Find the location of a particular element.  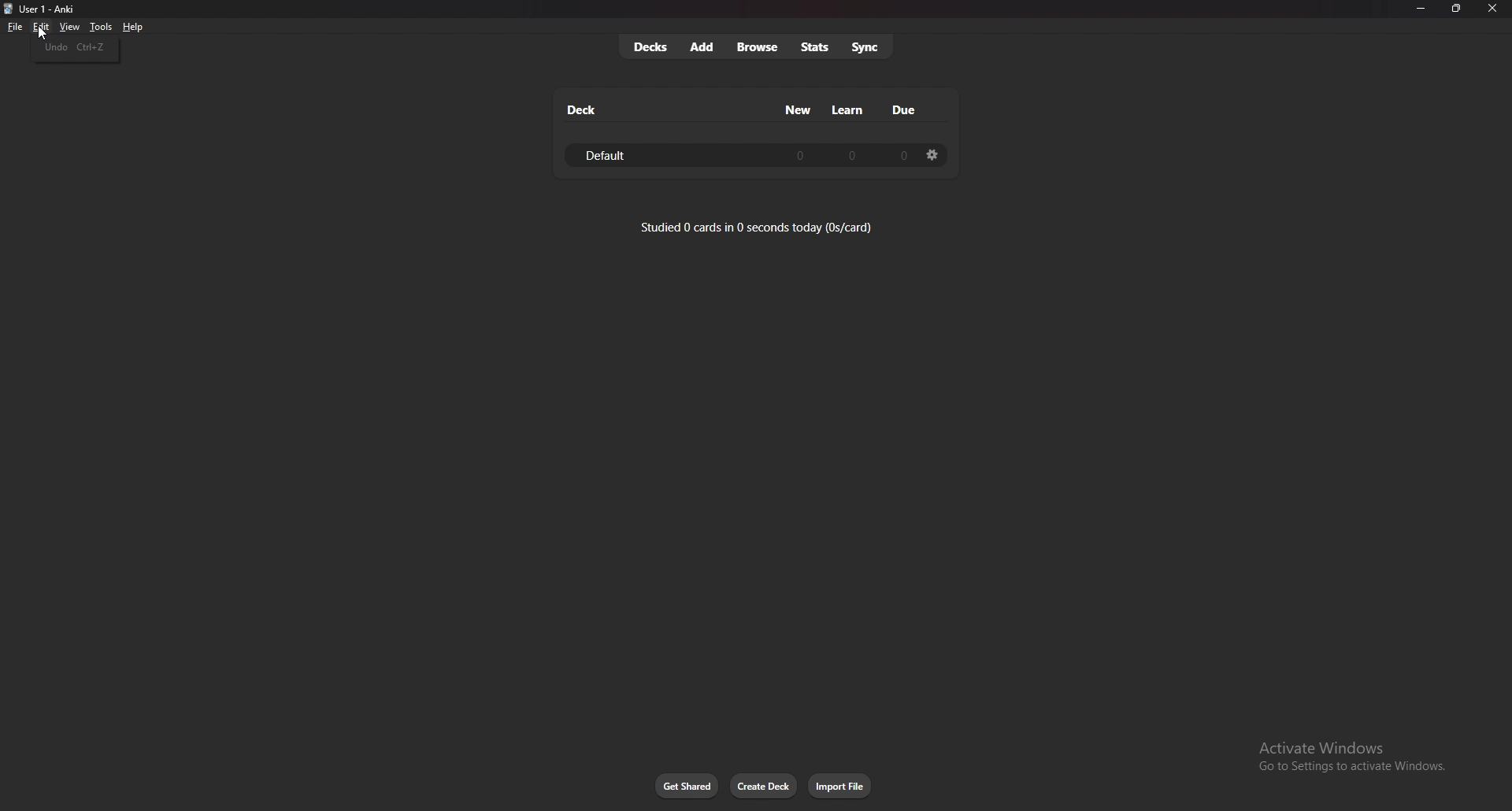

stats is located at coordinates (816, 46).